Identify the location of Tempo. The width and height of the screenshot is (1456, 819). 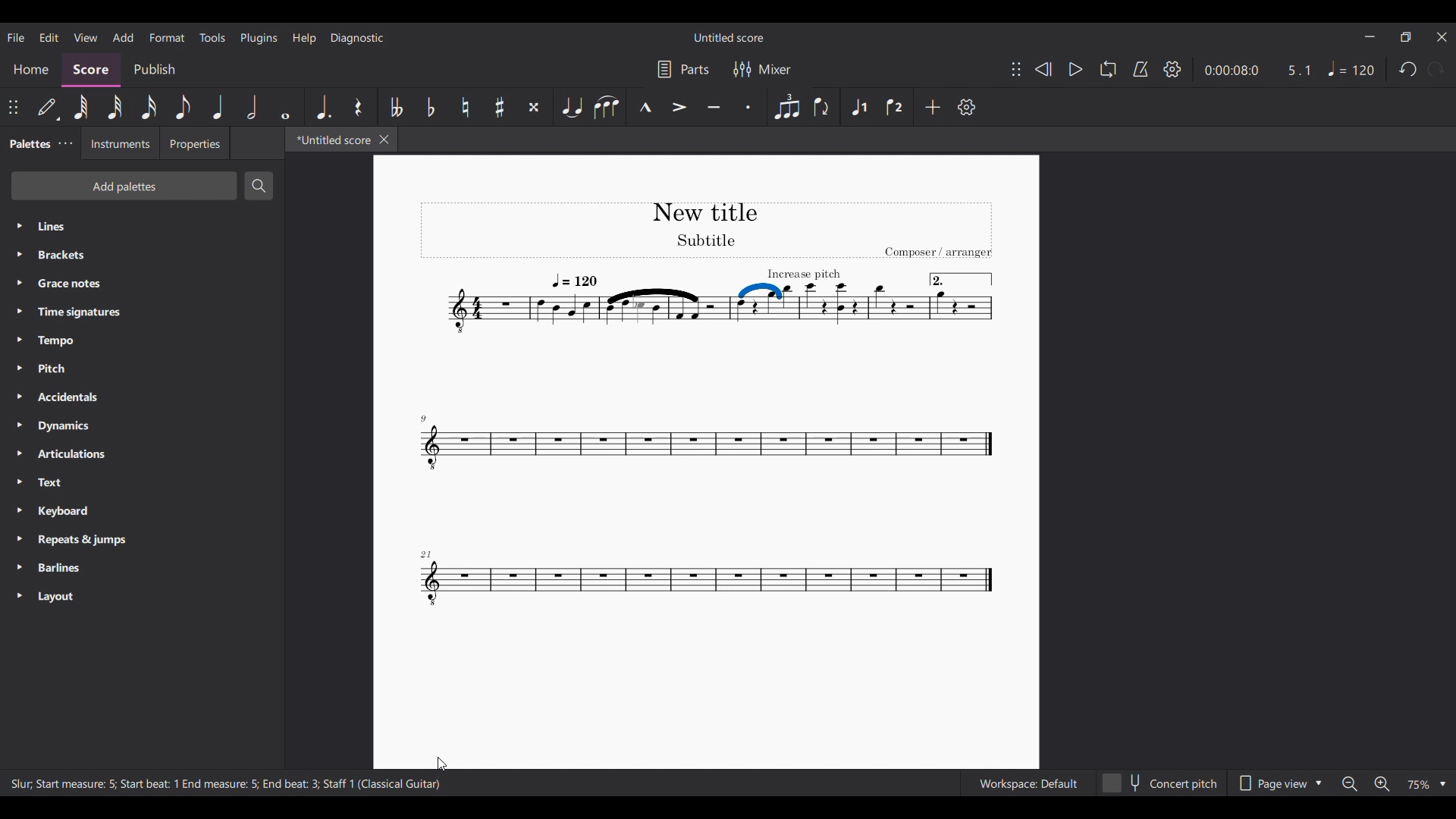
(1351, 69).